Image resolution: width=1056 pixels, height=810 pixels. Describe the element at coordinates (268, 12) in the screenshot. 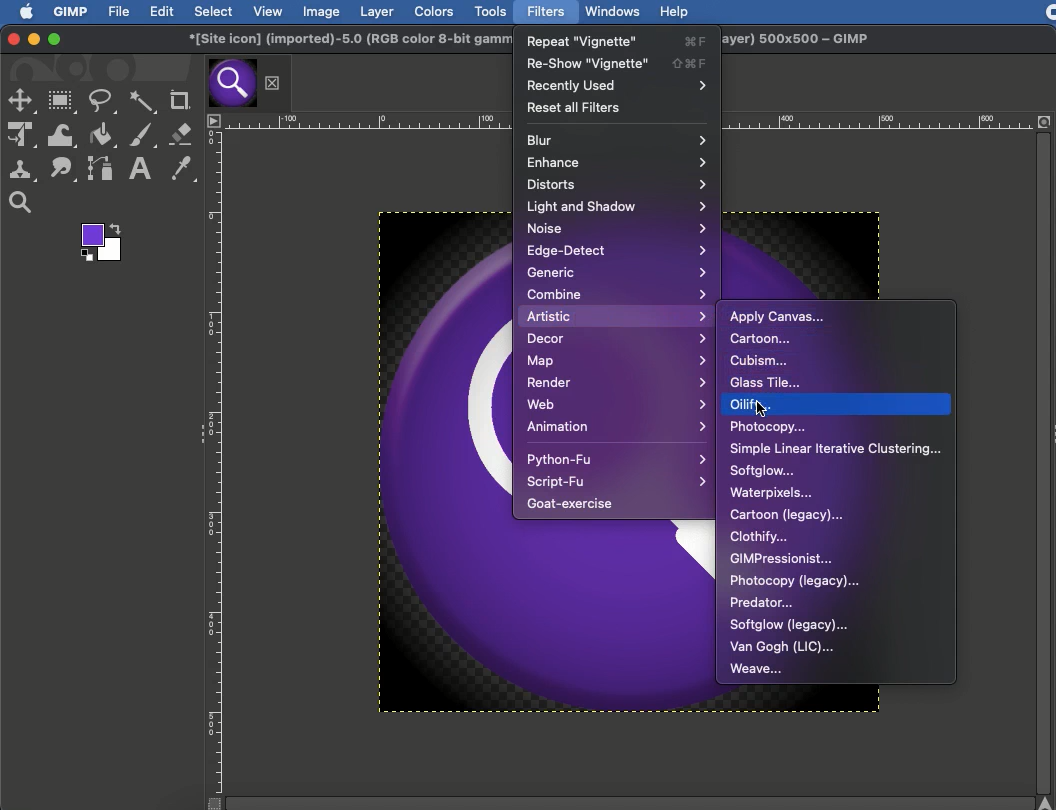

I see `View` at that location.